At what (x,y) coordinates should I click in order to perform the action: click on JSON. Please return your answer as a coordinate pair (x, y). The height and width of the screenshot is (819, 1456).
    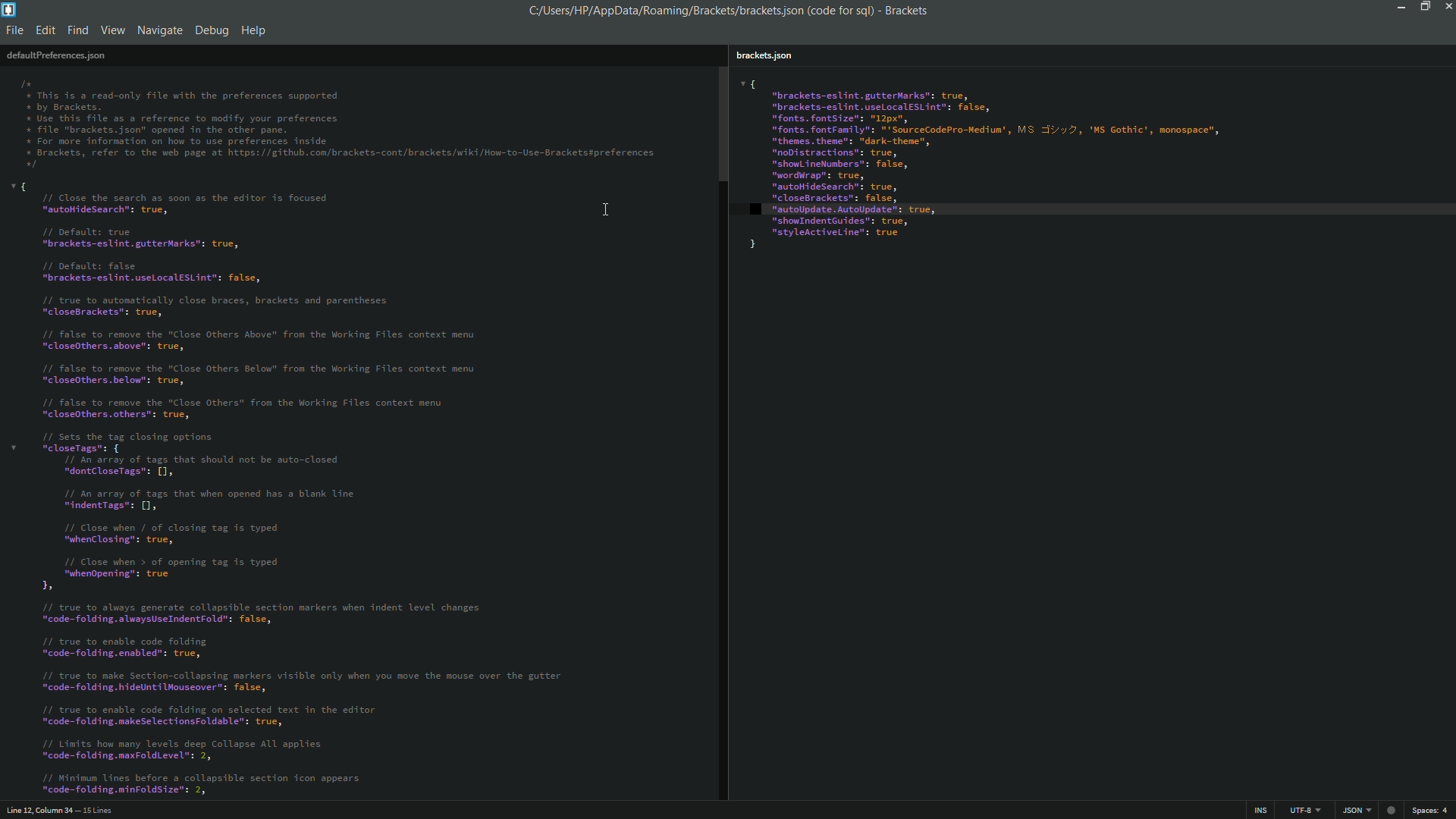
    Looking at the image, I should click on (1354, 810).